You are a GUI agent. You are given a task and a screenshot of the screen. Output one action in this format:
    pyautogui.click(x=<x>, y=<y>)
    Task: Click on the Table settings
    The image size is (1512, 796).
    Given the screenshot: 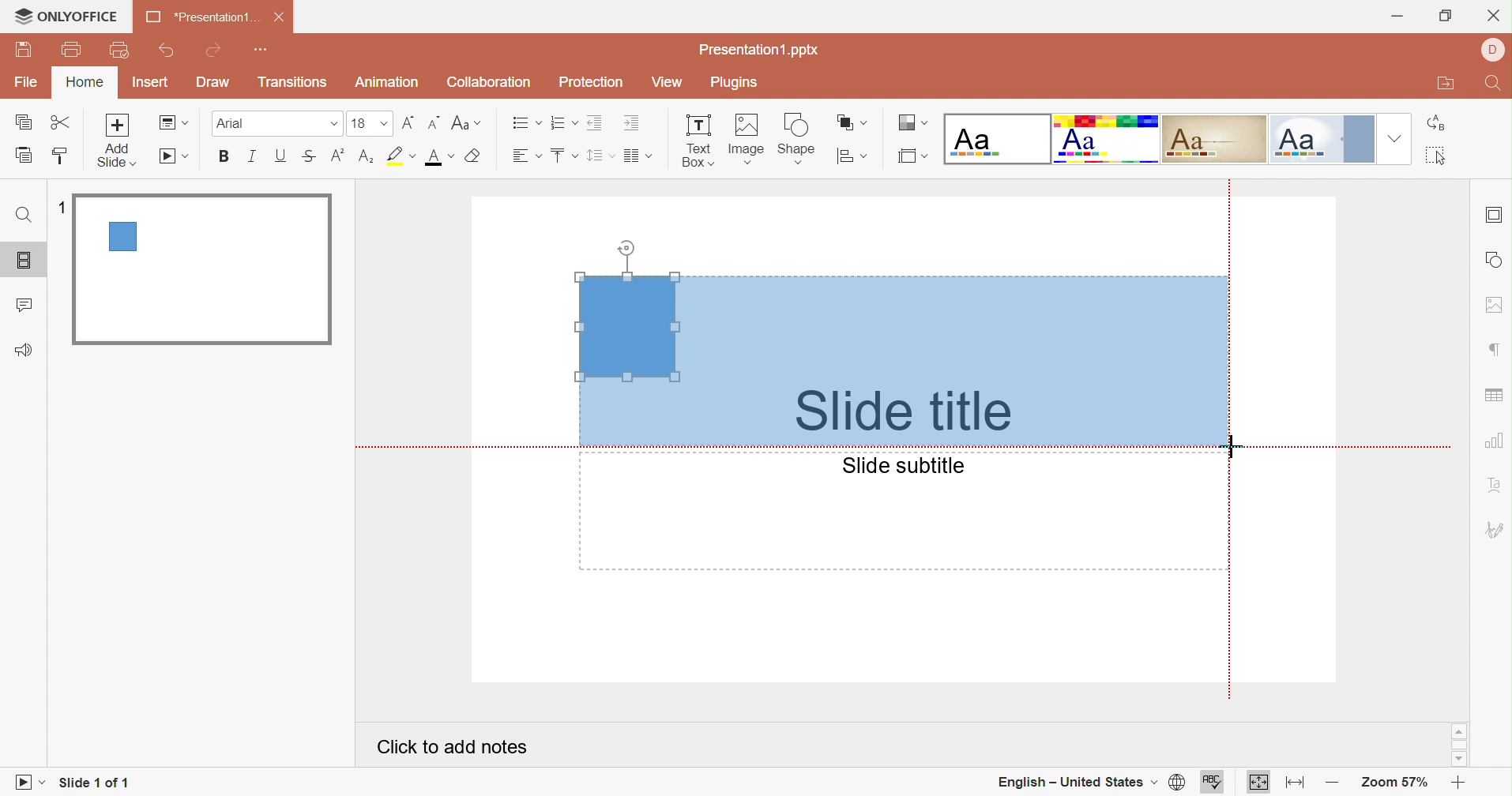 What is the action you would take?
    pyautogui.click(x=1493, y=396)
    